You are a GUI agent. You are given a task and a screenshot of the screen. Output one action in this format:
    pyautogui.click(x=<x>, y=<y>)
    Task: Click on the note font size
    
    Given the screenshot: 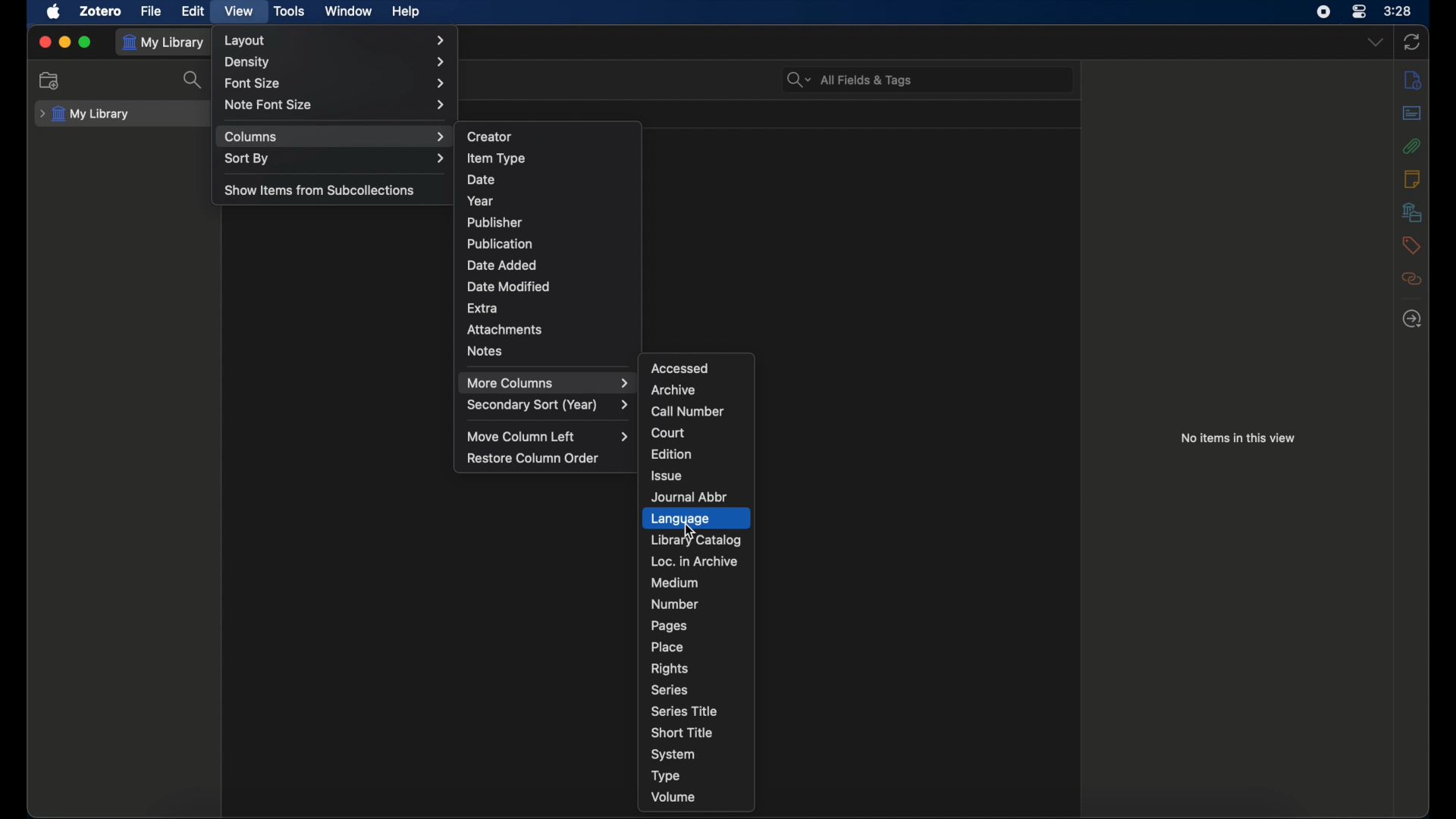 What is the action you would take?
    pyautogui.click(x=337, y=105)
    